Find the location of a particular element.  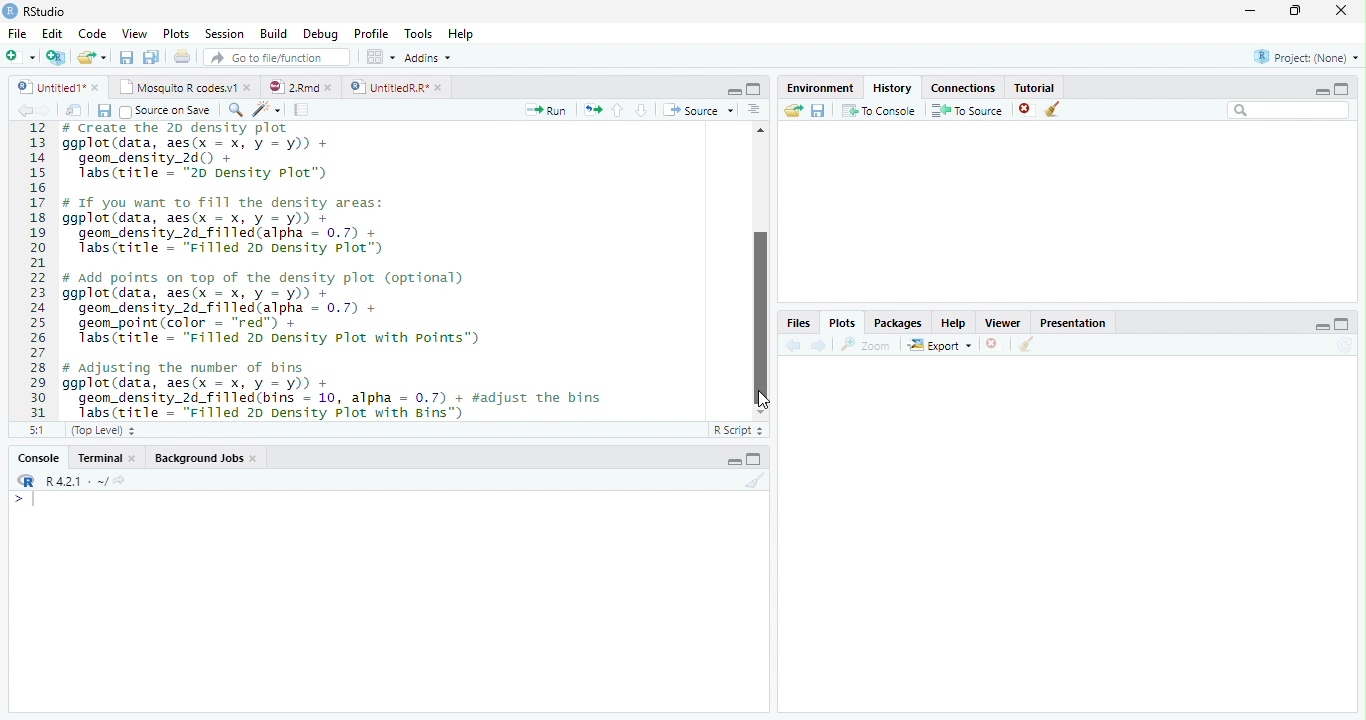

save current document is located at coordinates (125, 57).